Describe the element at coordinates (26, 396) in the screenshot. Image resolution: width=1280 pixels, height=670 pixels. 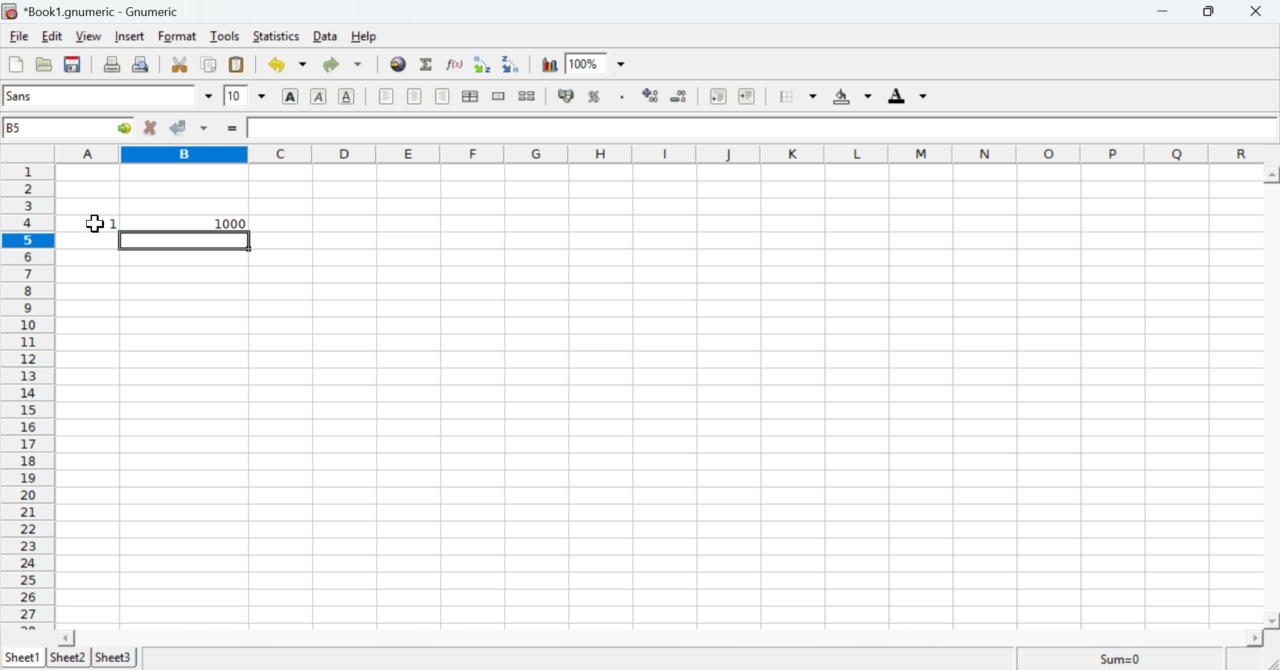
I see `numbering column` at that location.